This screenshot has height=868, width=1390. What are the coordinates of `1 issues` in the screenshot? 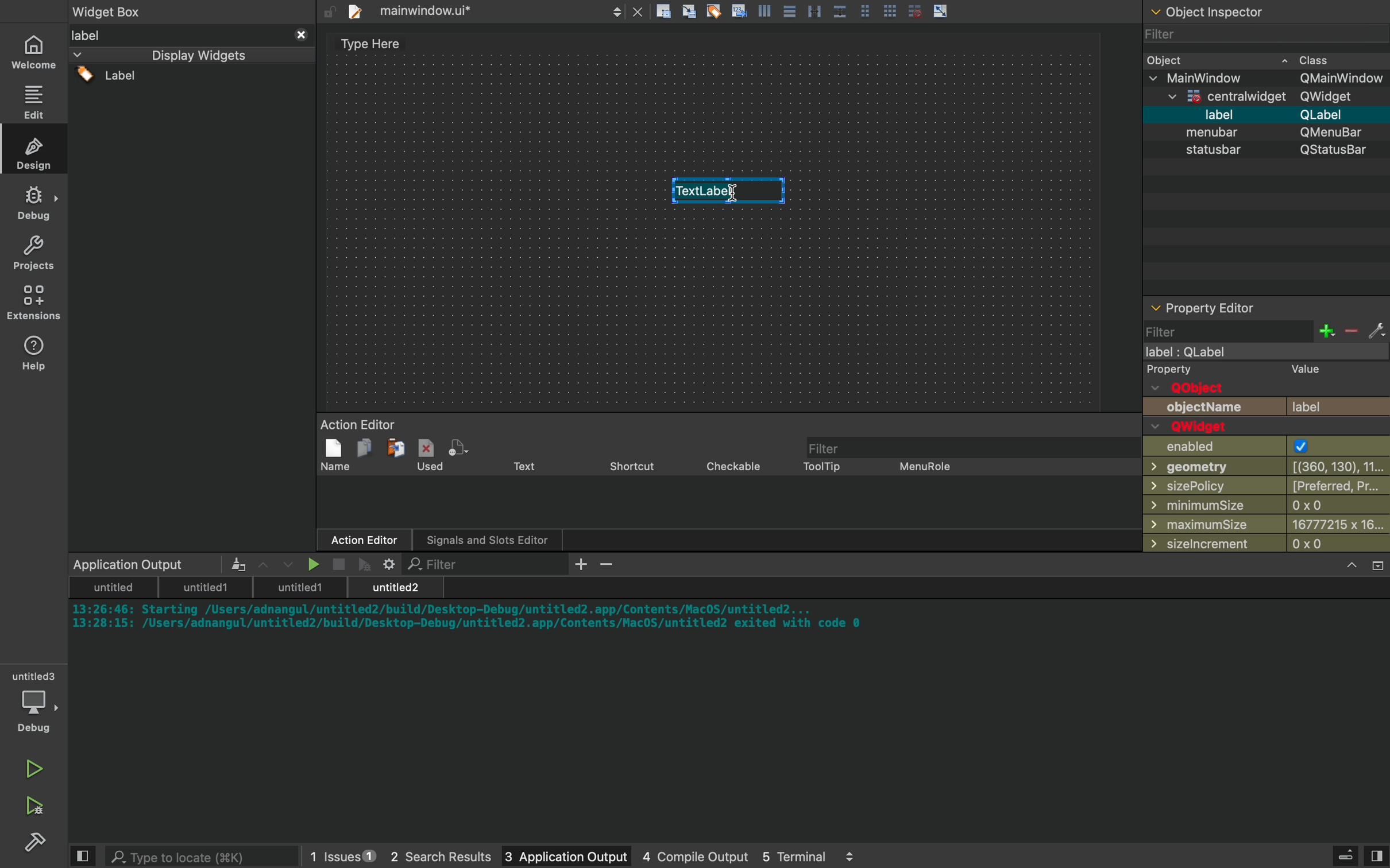 It's located at (335, 854).